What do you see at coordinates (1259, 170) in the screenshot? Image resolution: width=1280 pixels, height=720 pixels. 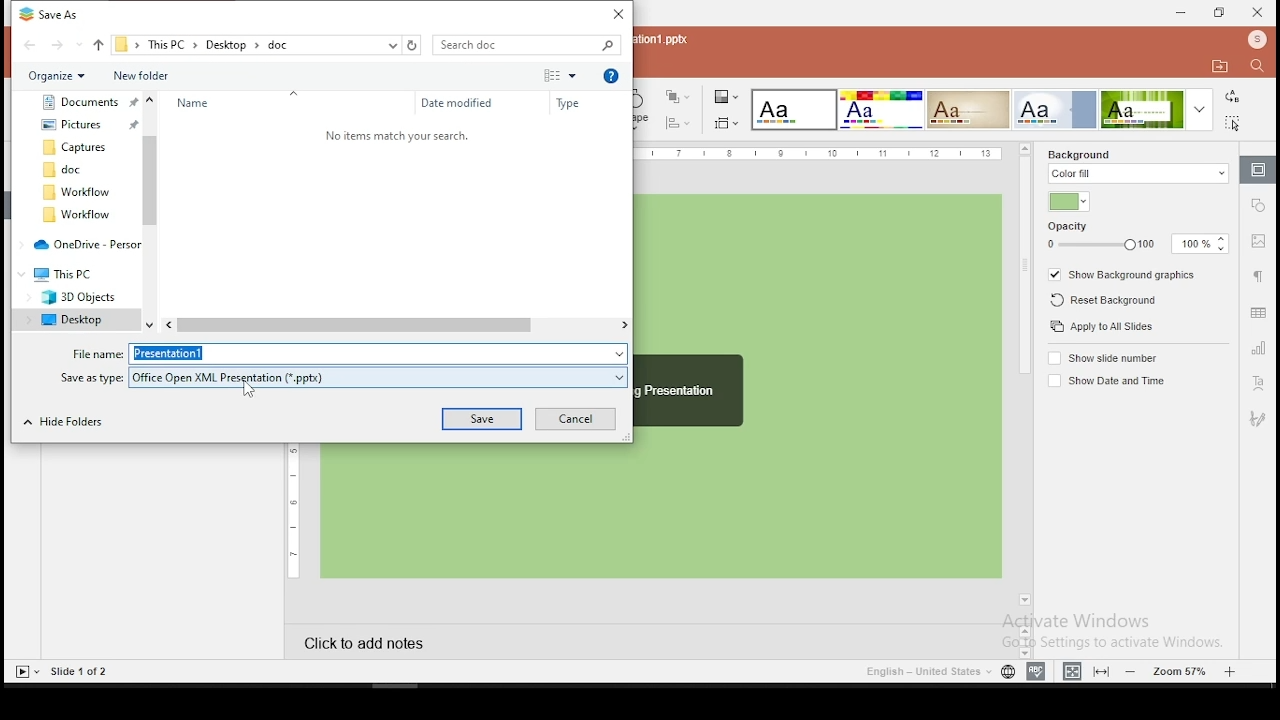 I see `slide settings` at bounding box center [1259, 170].